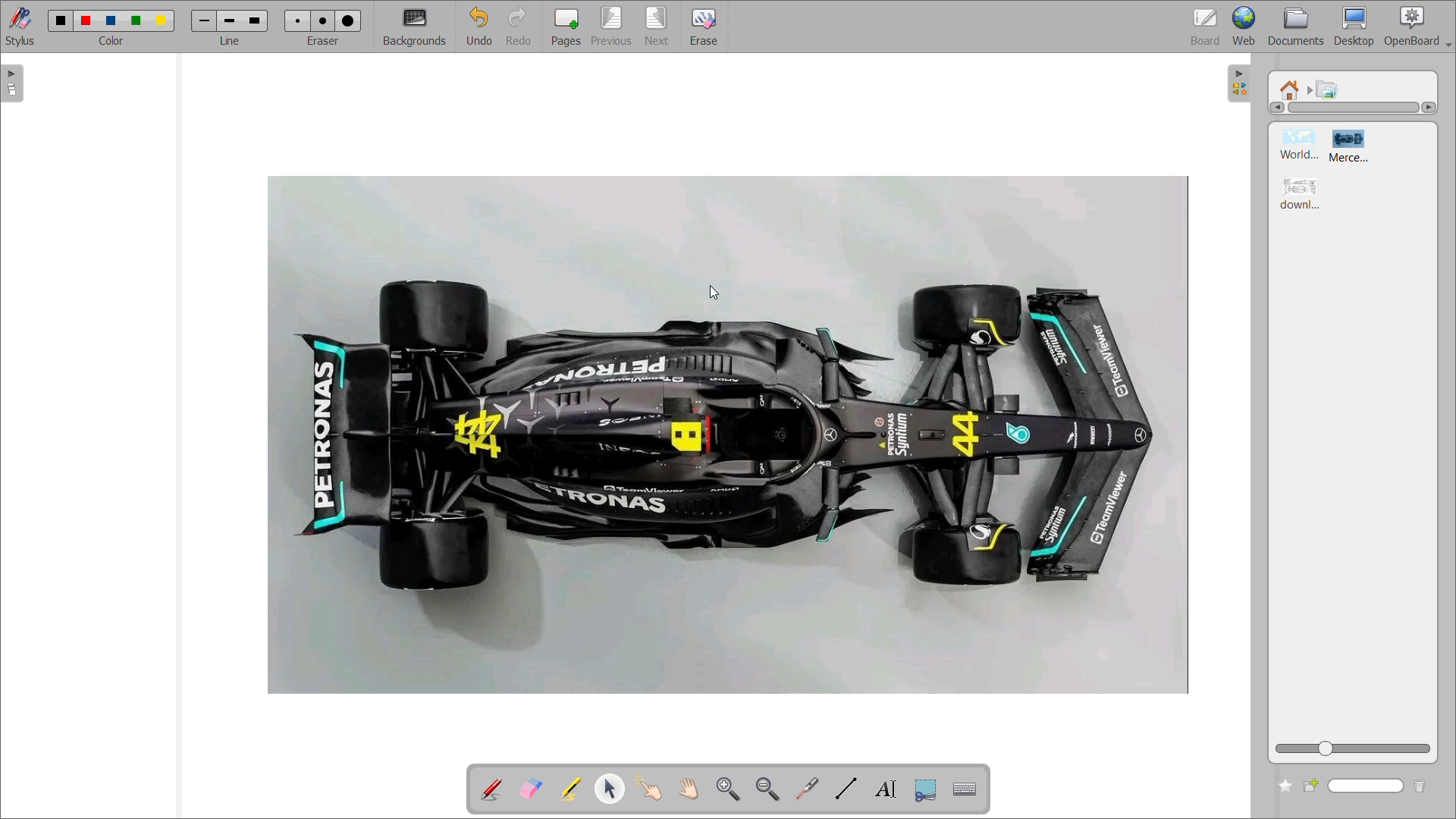 The image size is (1456, 819). Describe the element at coordinates (659, 27) in the screenshot. I see `next` at that location.